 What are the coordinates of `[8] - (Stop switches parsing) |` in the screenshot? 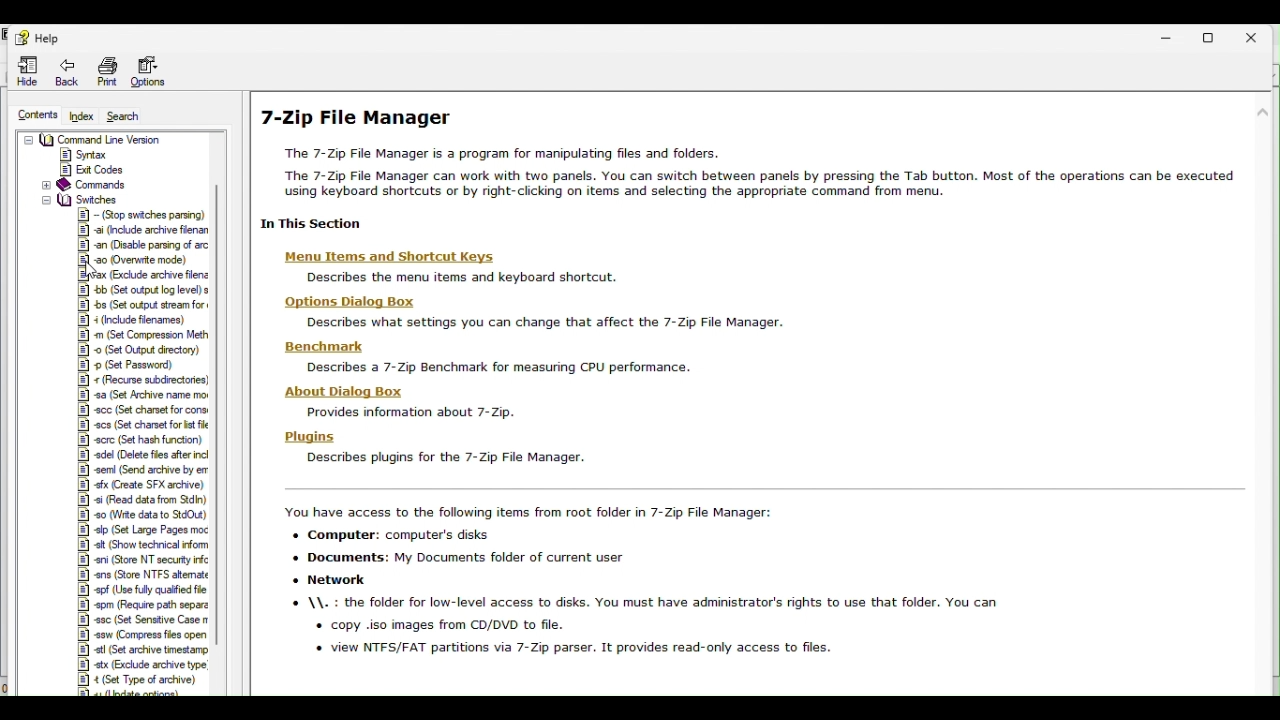 It's located at (144, 212).